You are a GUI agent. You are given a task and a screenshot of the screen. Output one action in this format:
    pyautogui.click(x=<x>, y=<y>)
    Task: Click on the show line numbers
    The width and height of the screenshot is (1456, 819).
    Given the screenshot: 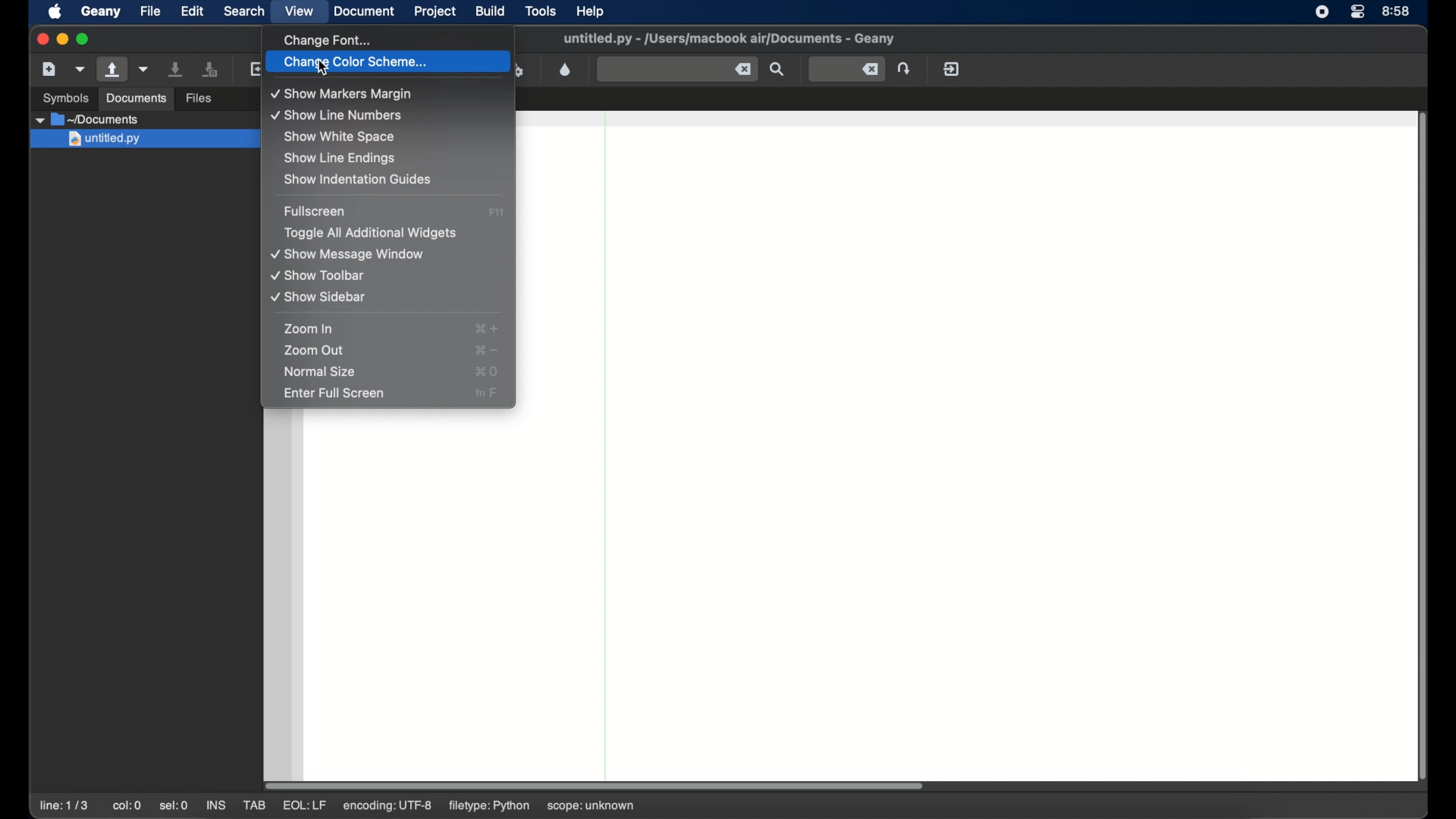 What is the action you would take?
    pyautogui.click(x=337, y=116)
    